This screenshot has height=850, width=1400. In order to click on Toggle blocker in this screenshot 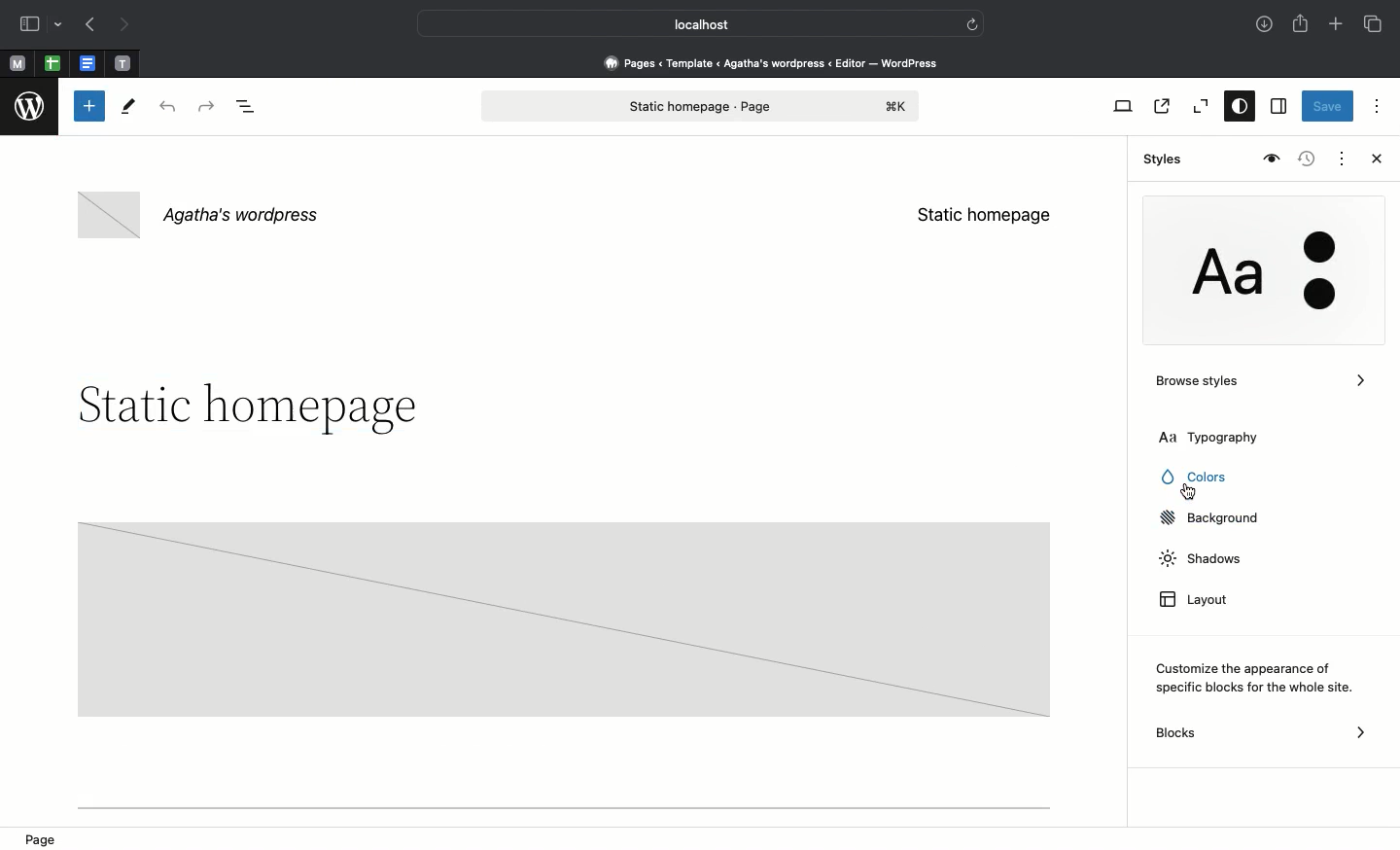, I will do `click(89, 106)`.